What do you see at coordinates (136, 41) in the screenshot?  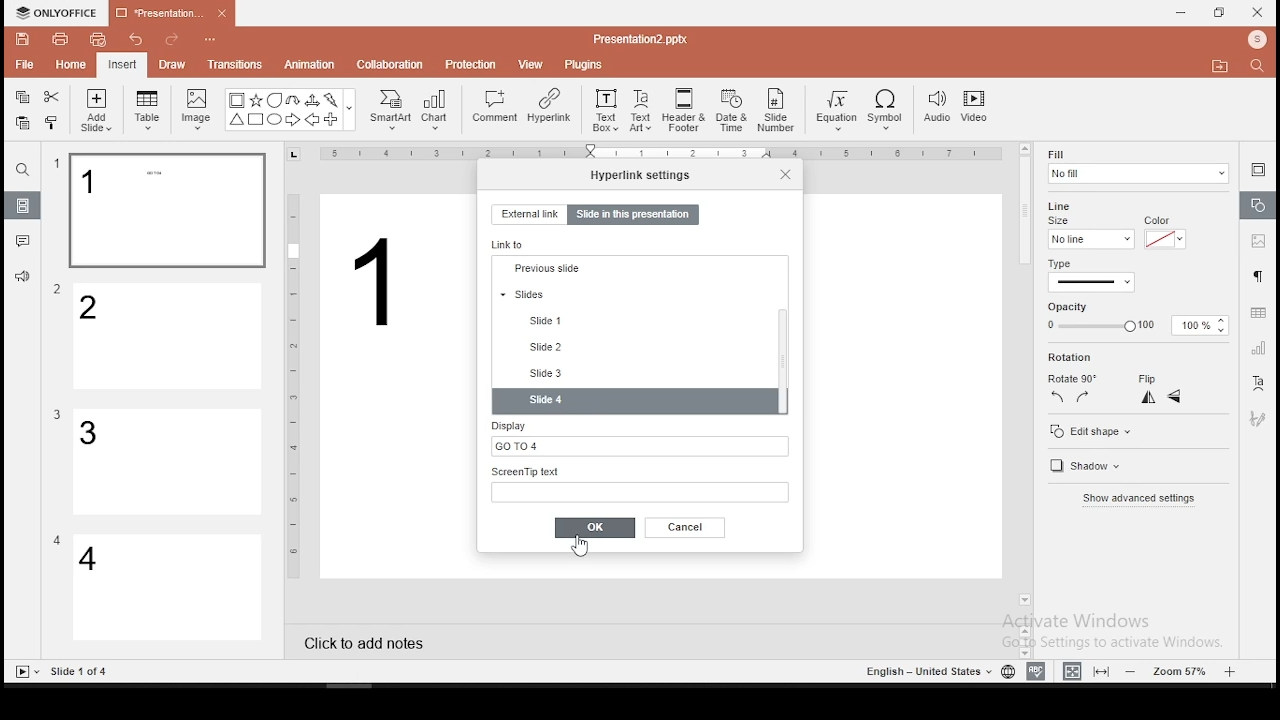 I see `undo` at bounding box center [136, 41].